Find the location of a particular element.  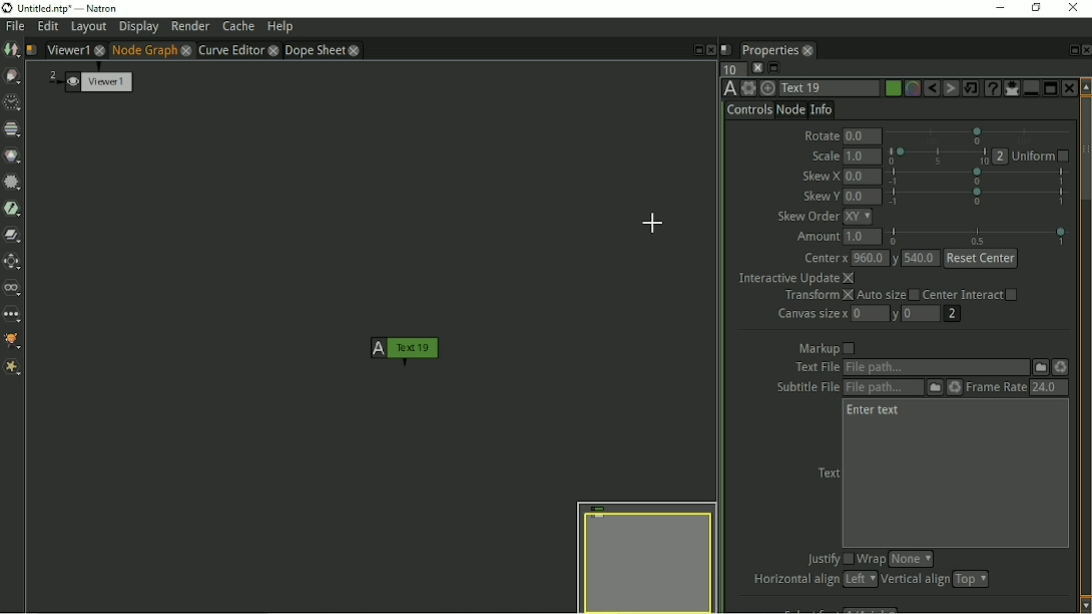

Reload the file is located at coordinates (1064, 368).